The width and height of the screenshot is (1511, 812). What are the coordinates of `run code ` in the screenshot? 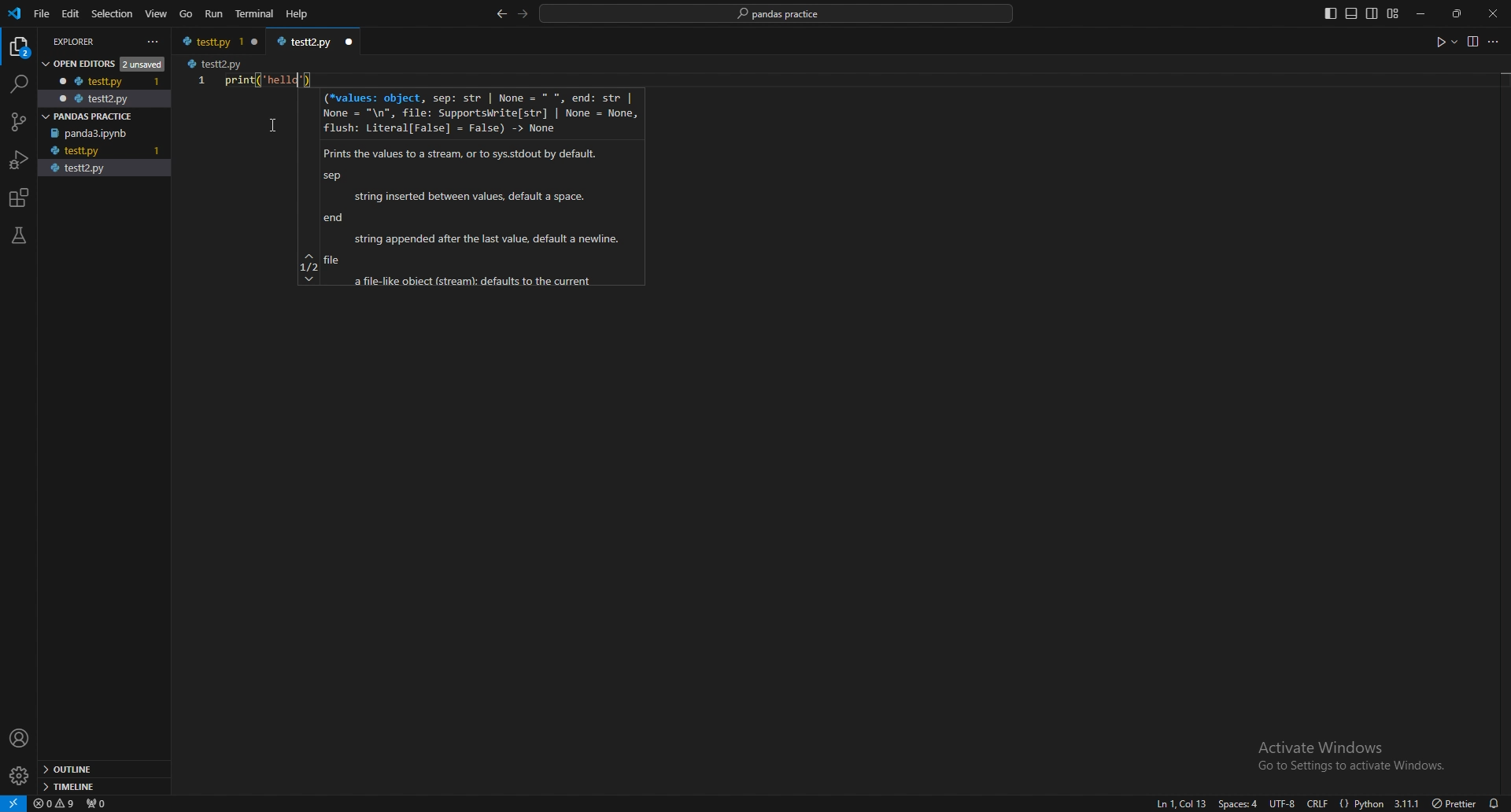 It's located at (1445, 42).